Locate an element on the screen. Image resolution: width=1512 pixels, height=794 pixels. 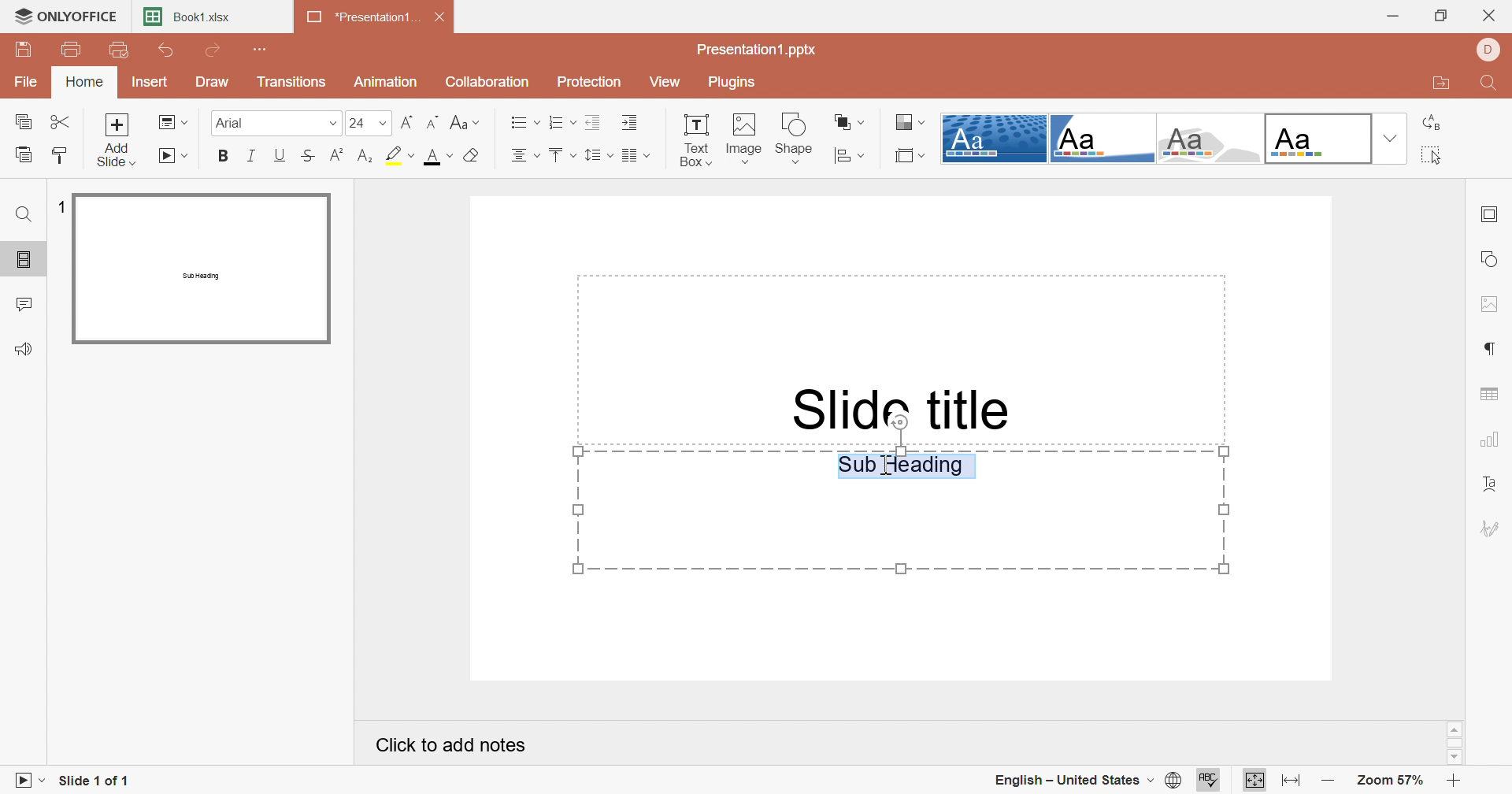
Slide settings is located at coordinates (1491, 215).